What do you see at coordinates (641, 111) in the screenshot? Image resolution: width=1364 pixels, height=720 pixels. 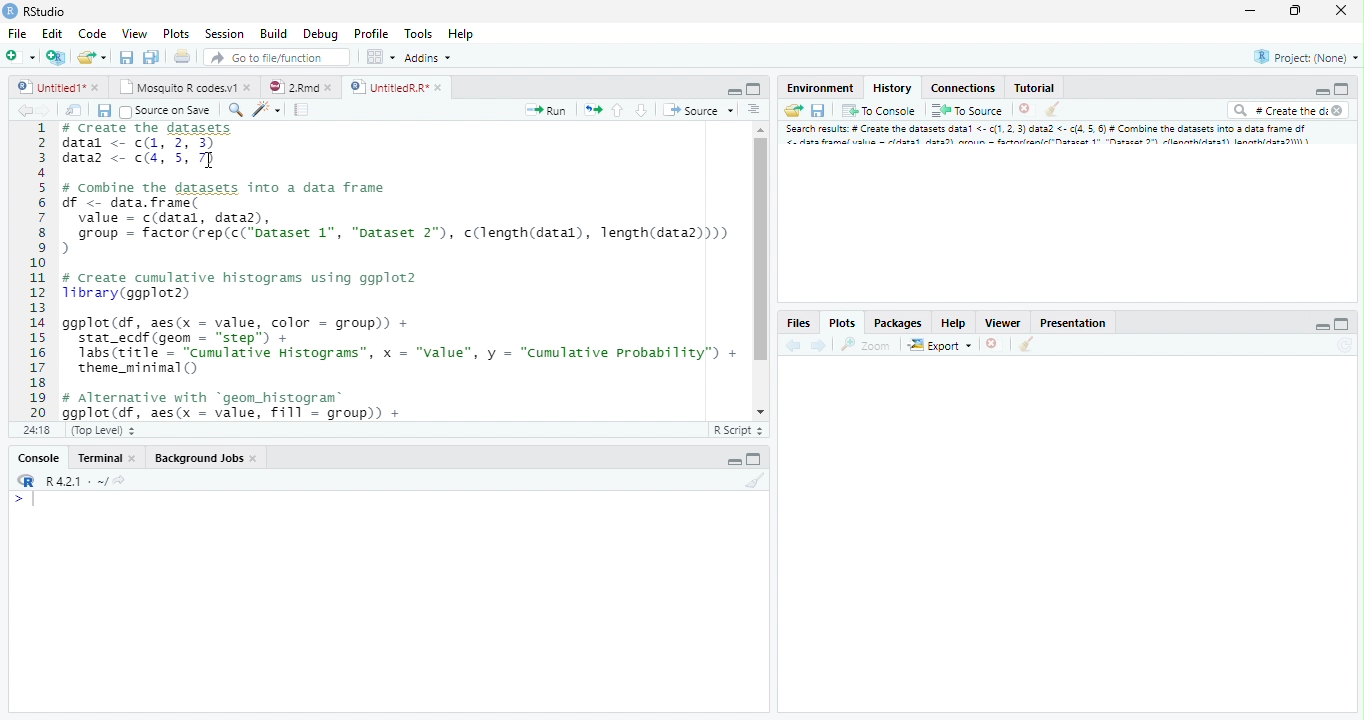 I see `Go to the next section/chunk` at bounding box center [641, 111].